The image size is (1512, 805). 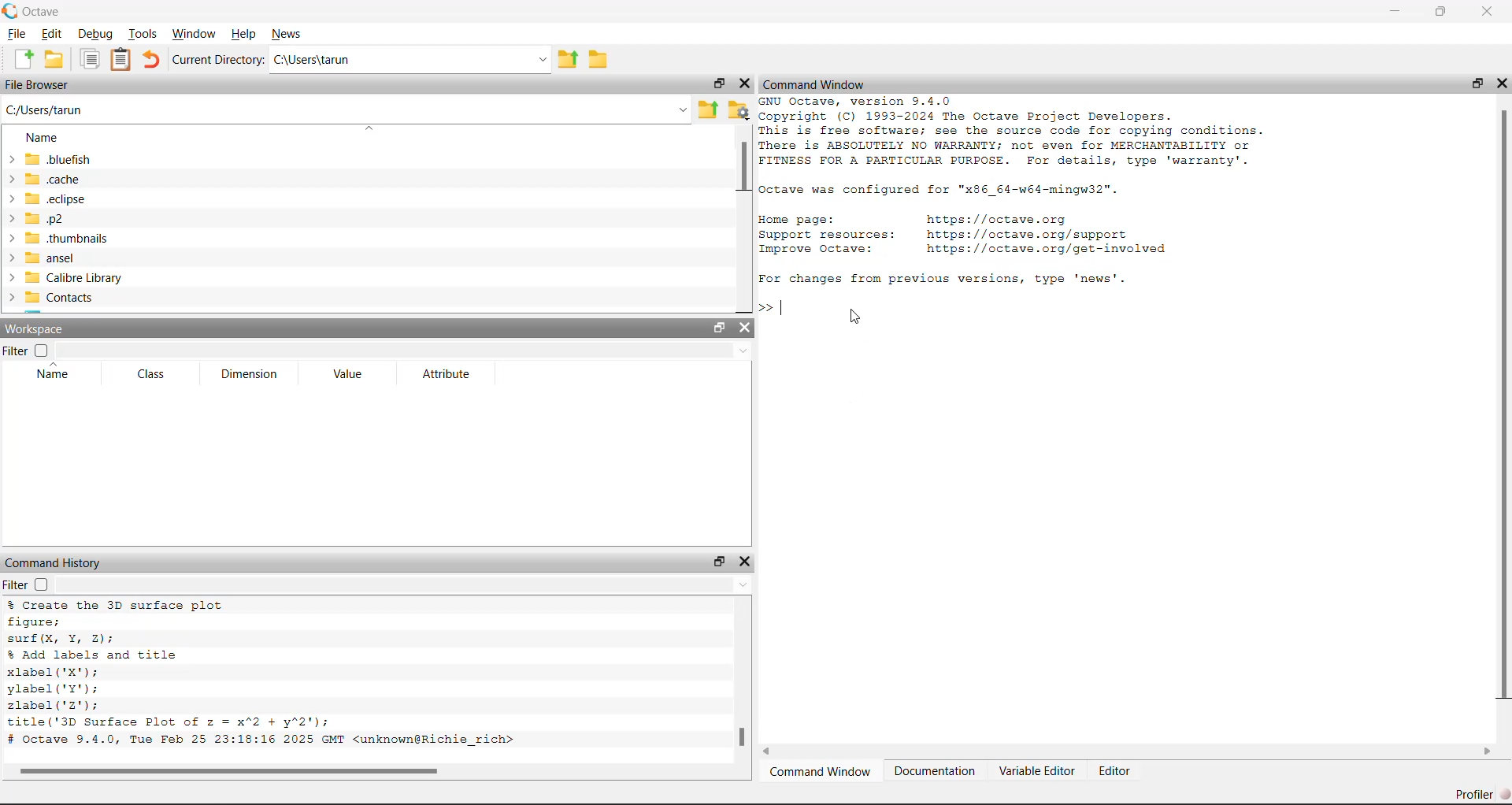 What do you see at coordinates (1394, 9) in the screenshot?
I see `Minimize` at bounding box center [1394, 9].